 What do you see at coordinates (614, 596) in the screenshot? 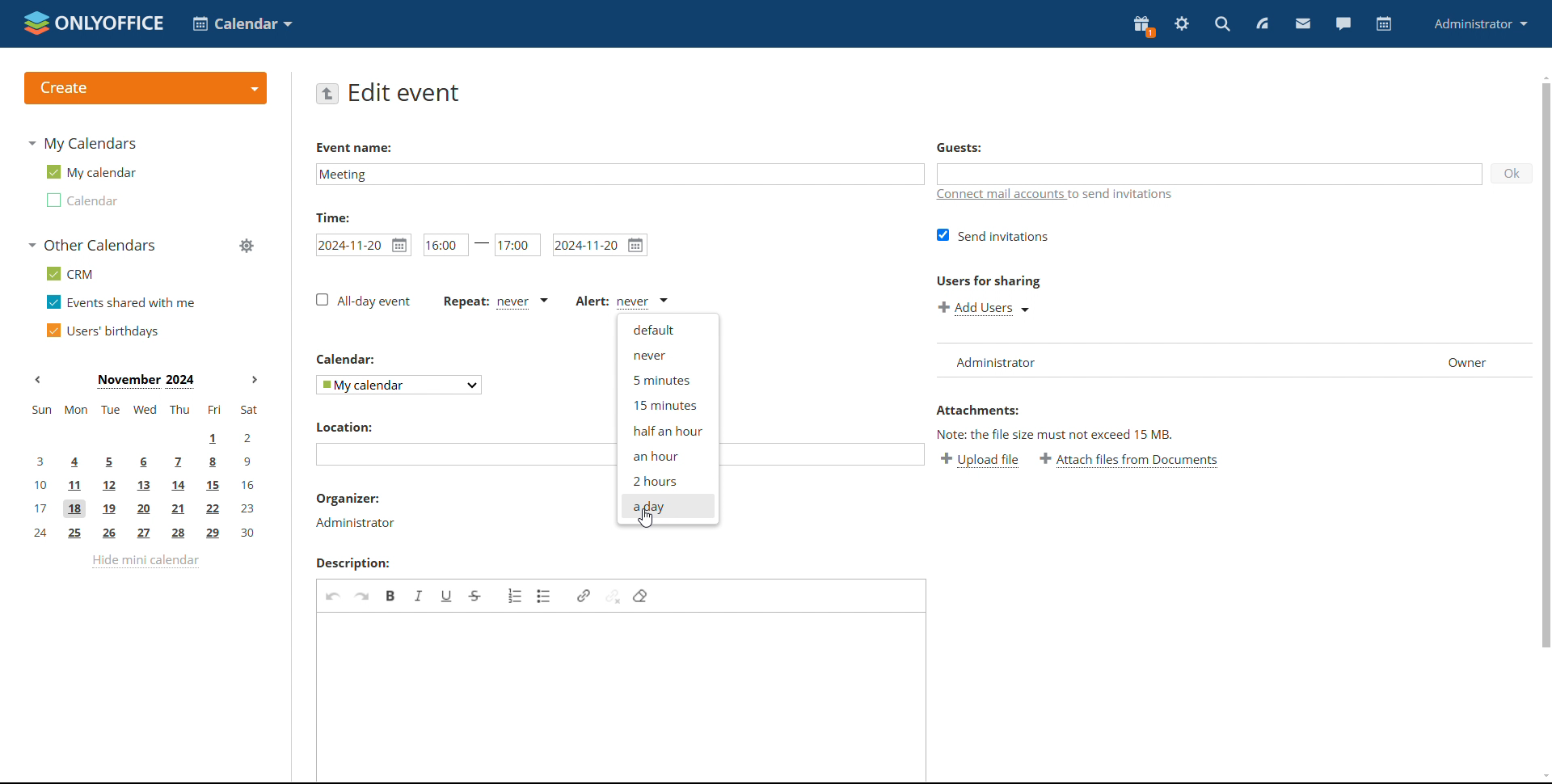
I see `unlink` at bounding box center [614, 596].